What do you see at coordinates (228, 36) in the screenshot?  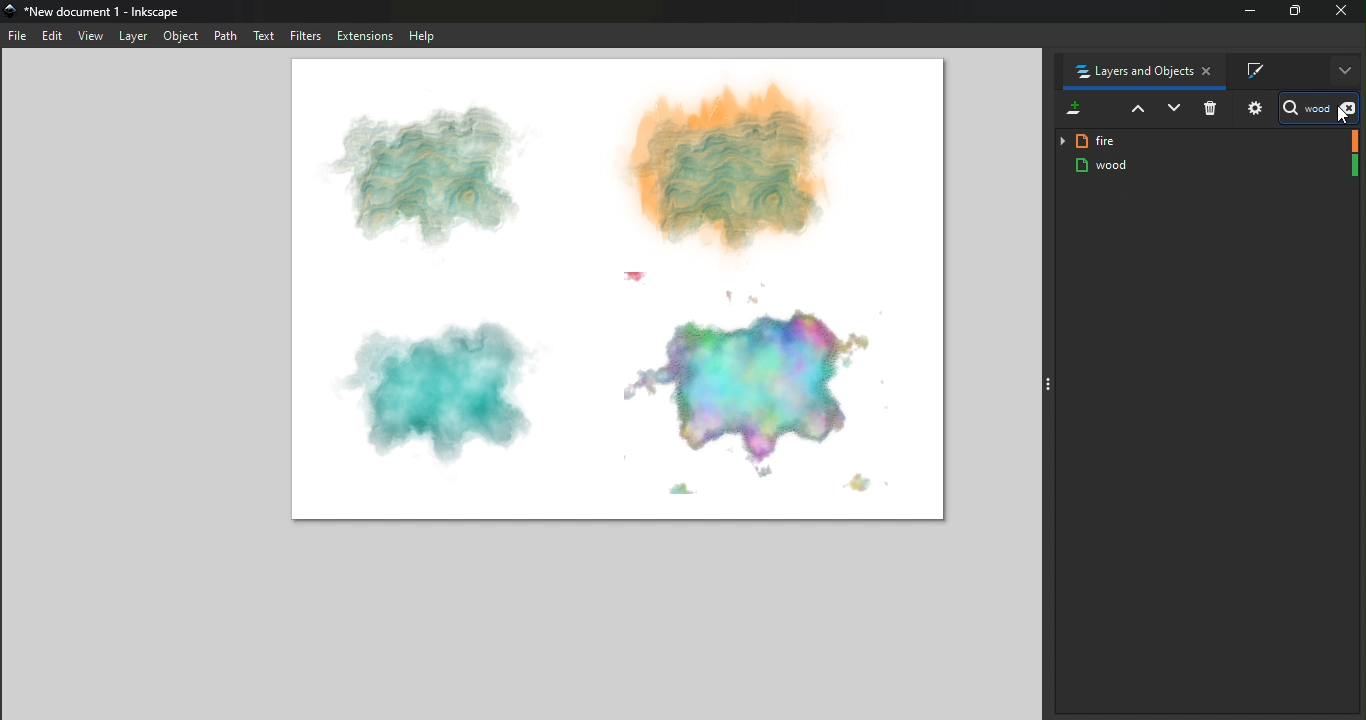 I see `Path` at bounding box center [228, 36].